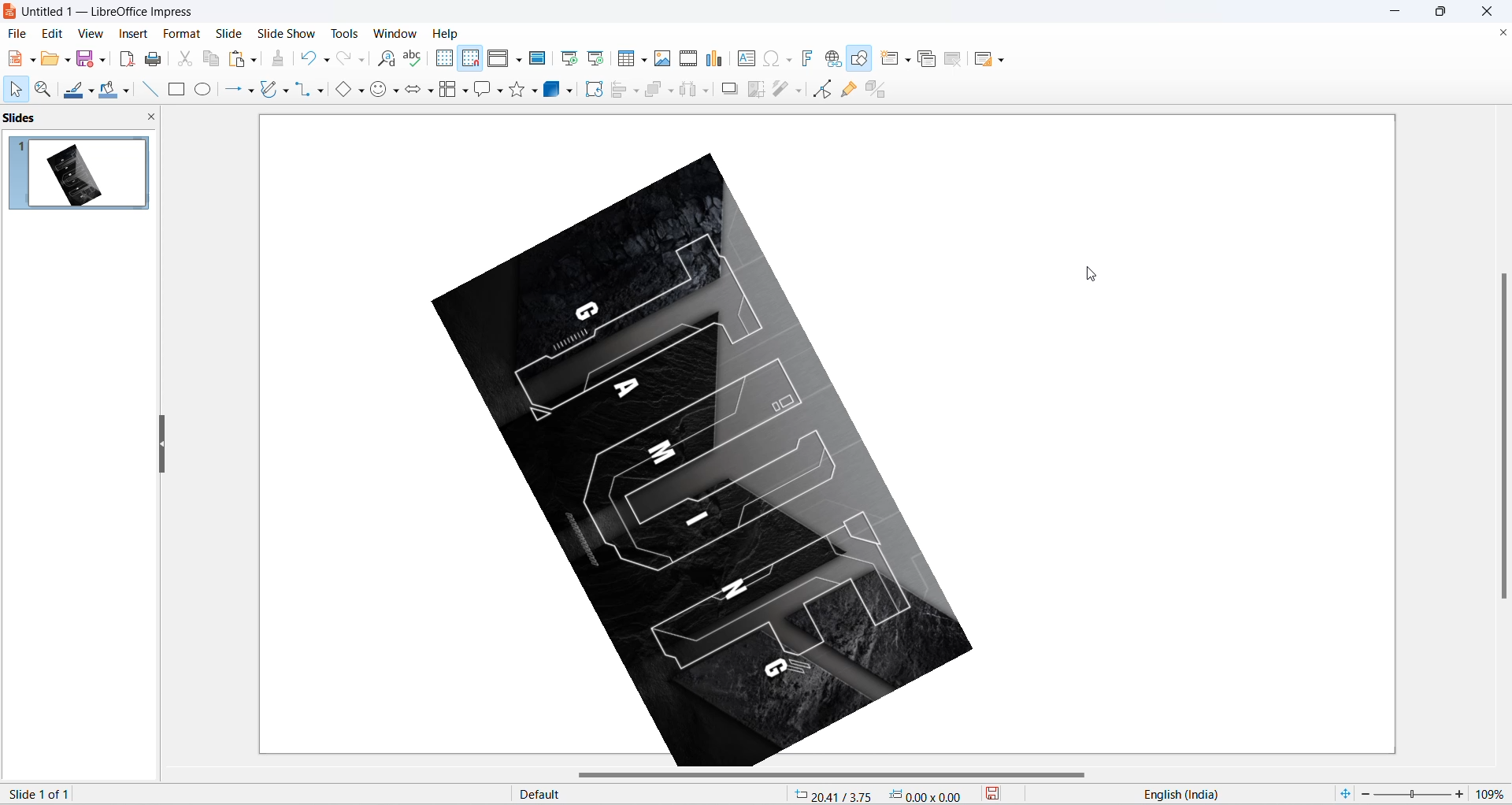  I want to click on filter options, so click(798, 90).